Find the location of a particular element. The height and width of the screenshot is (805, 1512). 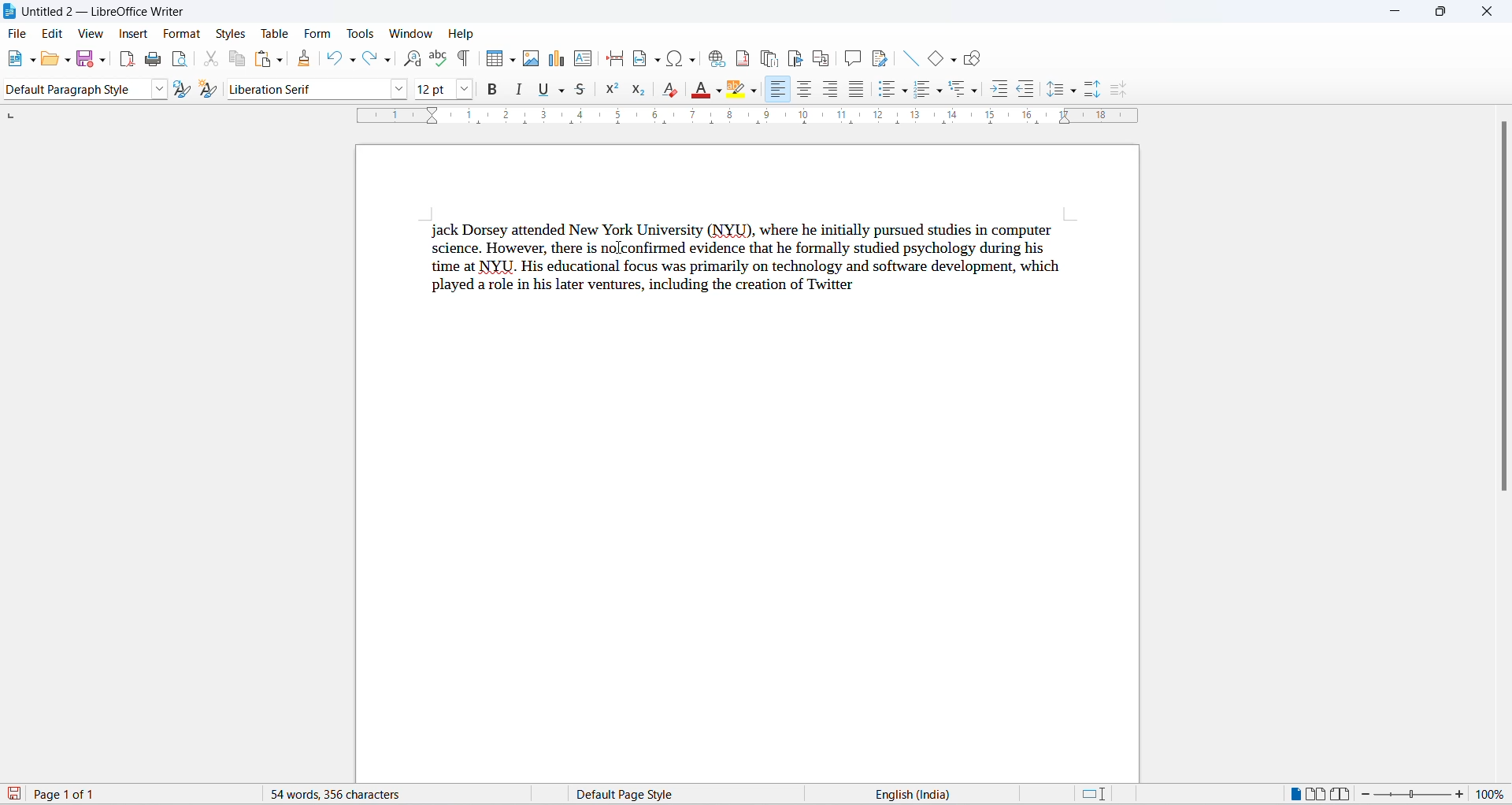

paste is located at coordinates (263, 59).